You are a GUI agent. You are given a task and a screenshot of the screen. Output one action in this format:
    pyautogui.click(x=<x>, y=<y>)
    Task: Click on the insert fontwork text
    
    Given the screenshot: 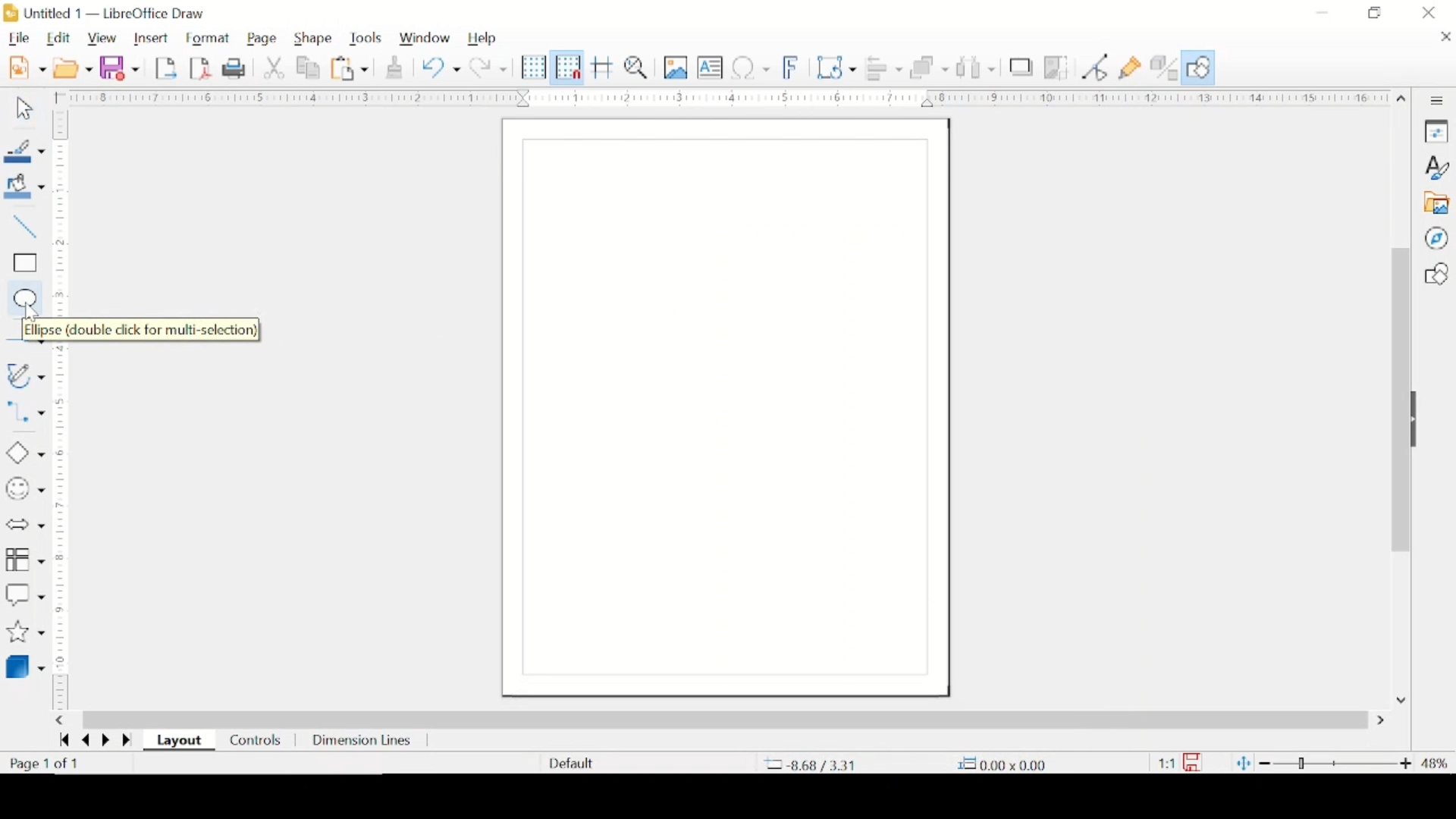 What is the action you would take?
    pyautogui.click(x=792, y=67)
    